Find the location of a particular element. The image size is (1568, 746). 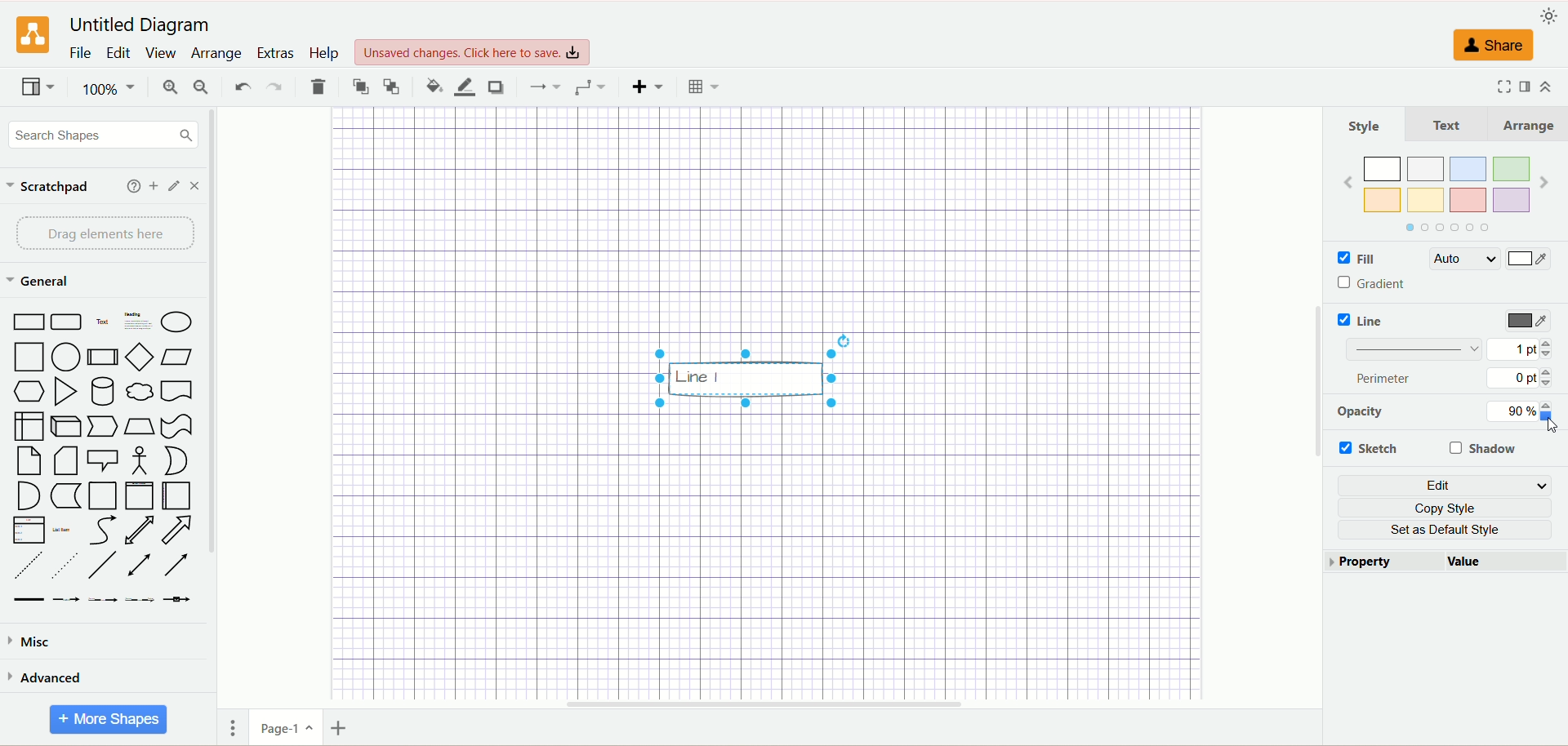

Horizantal Container is located at coordinates (176, 495).